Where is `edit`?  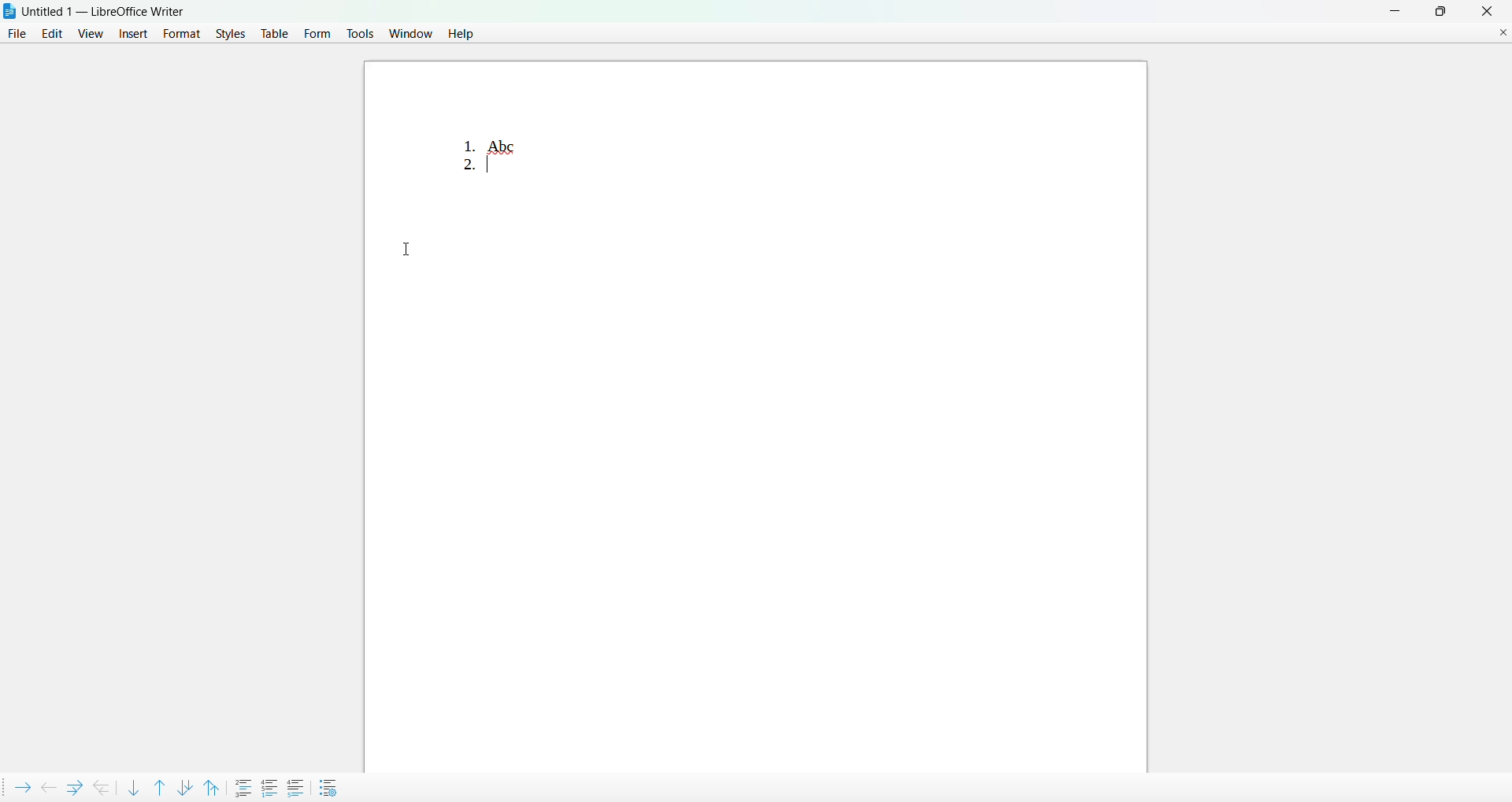
edit is located at coordinates (52, 35).